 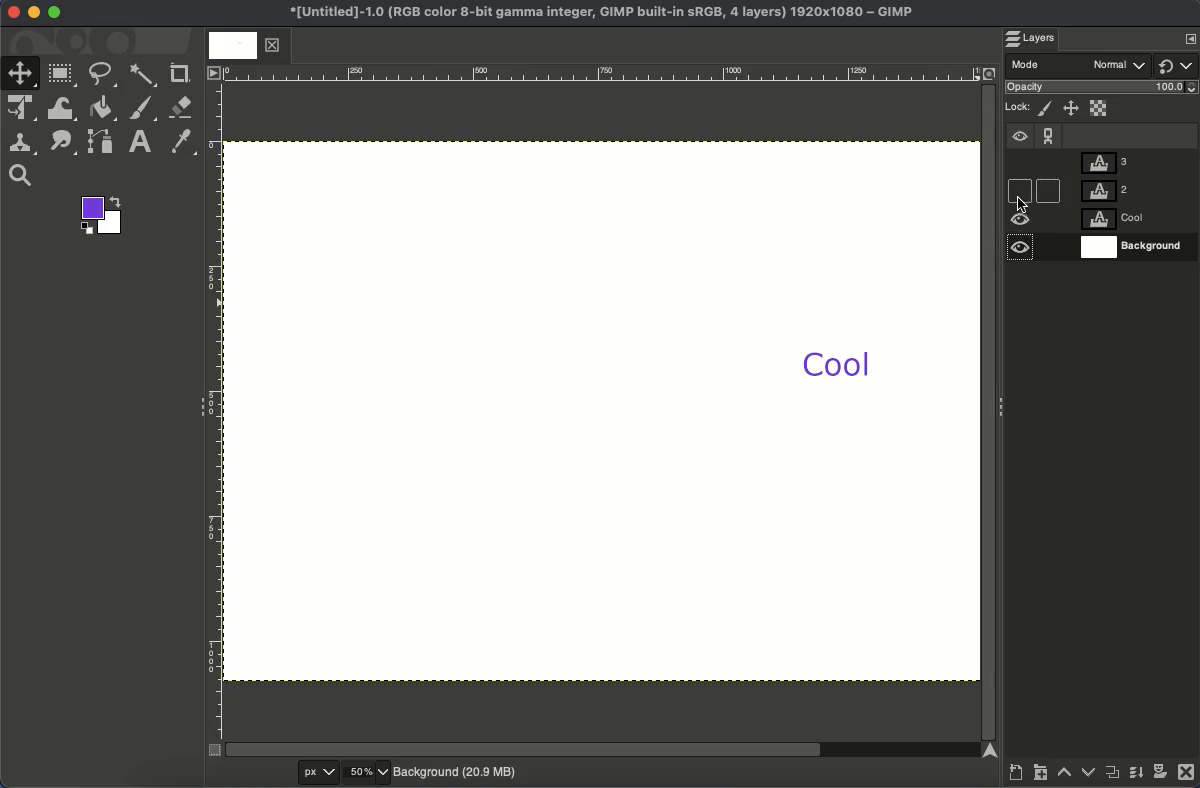 What do you see at coordinates (1133, 205) in the screenshot?
I see `Layers` at bounding box center [1133, 205].